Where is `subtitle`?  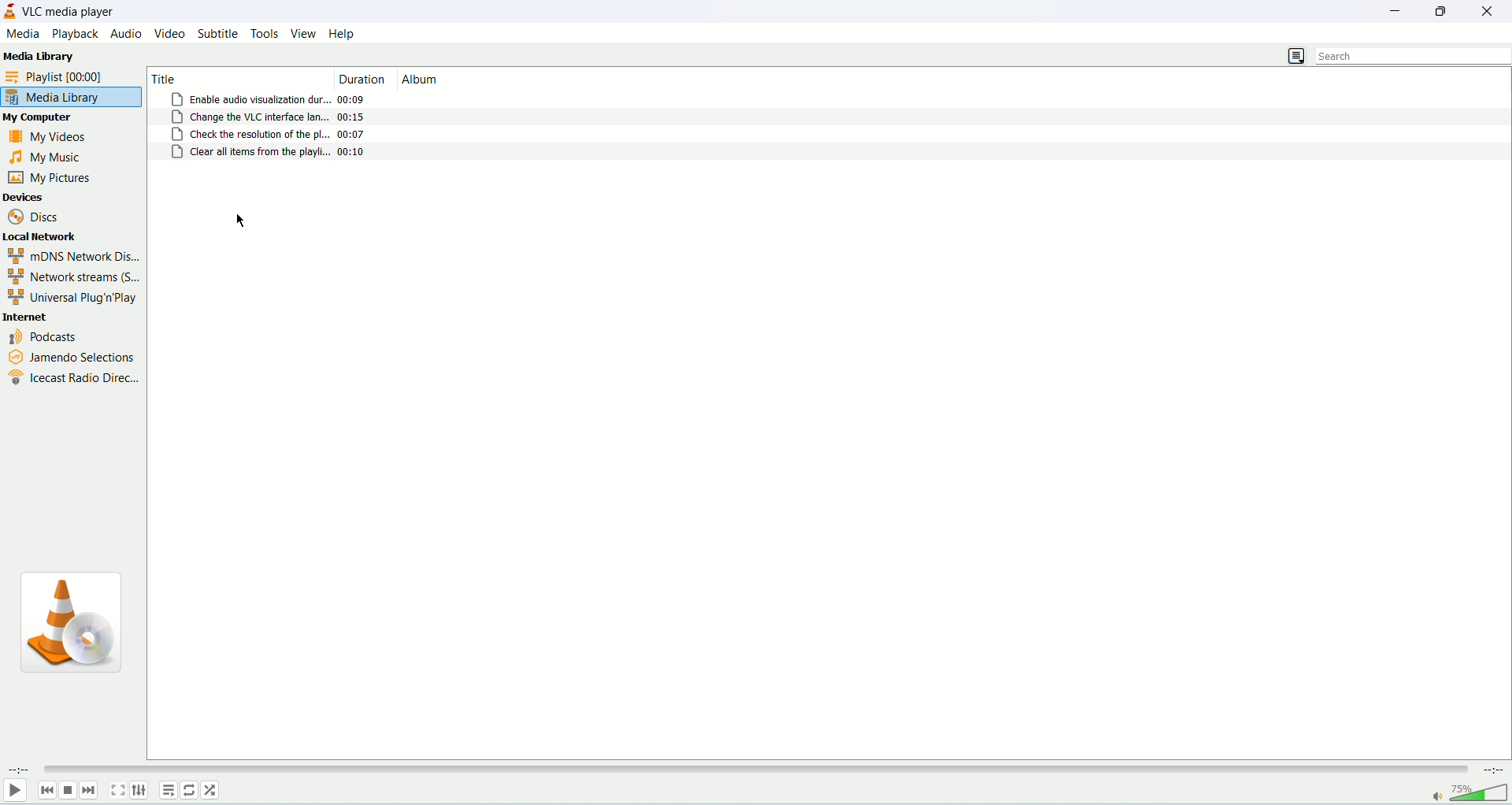
subtitle is located at coordinates (216, 33).